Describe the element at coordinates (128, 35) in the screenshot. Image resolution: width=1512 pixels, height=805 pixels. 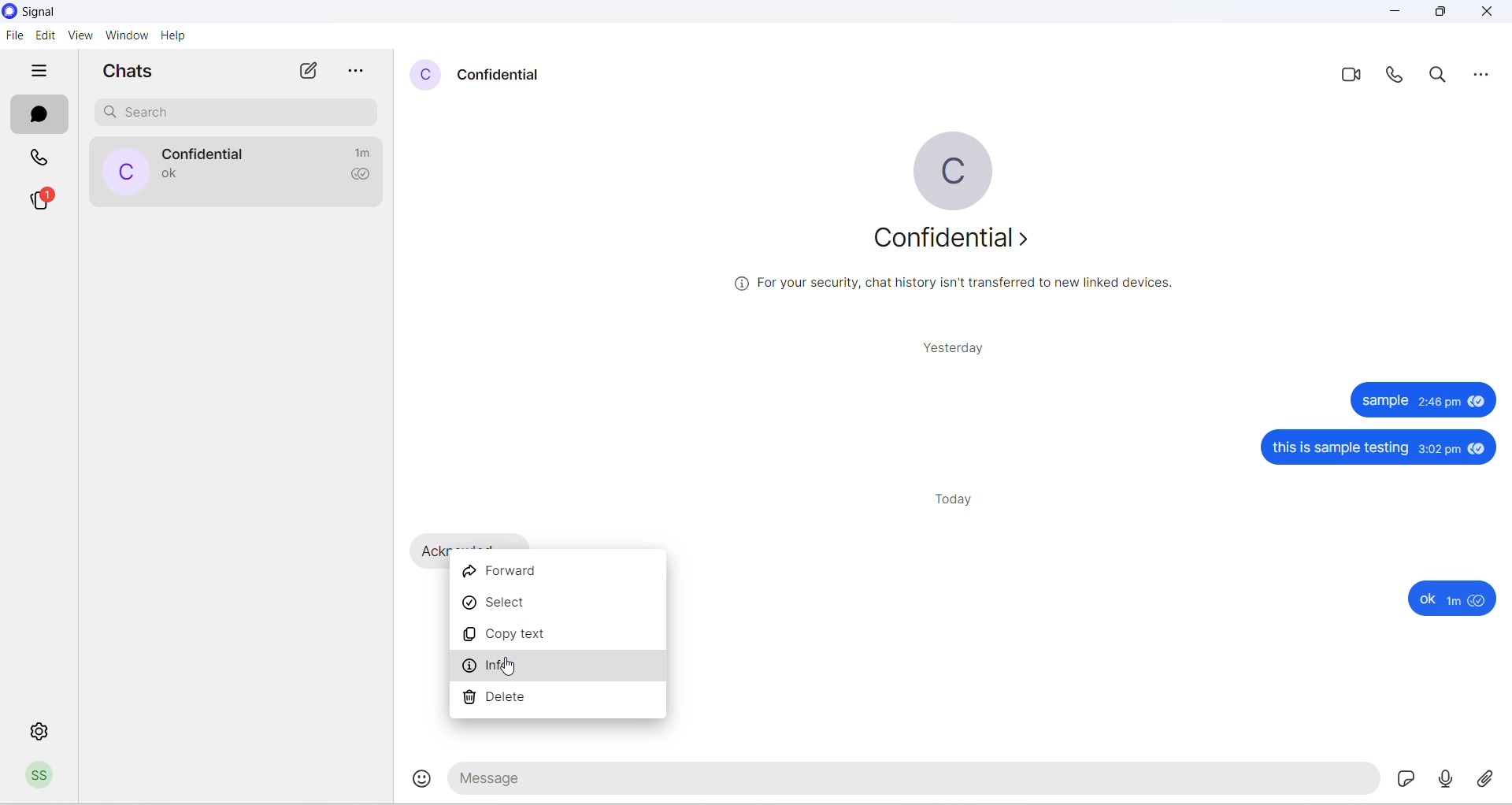
I see `window` at that location.